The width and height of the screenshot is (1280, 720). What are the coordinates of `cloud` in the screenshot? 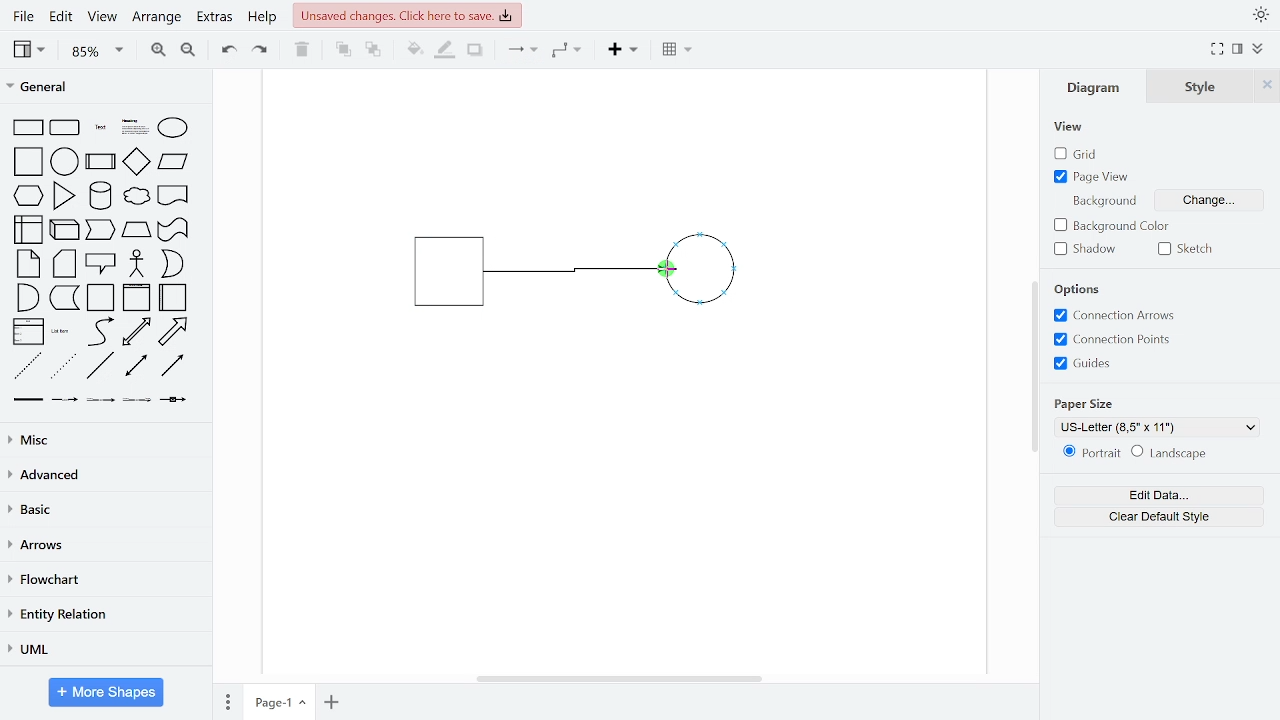 It's located at (135, 197).